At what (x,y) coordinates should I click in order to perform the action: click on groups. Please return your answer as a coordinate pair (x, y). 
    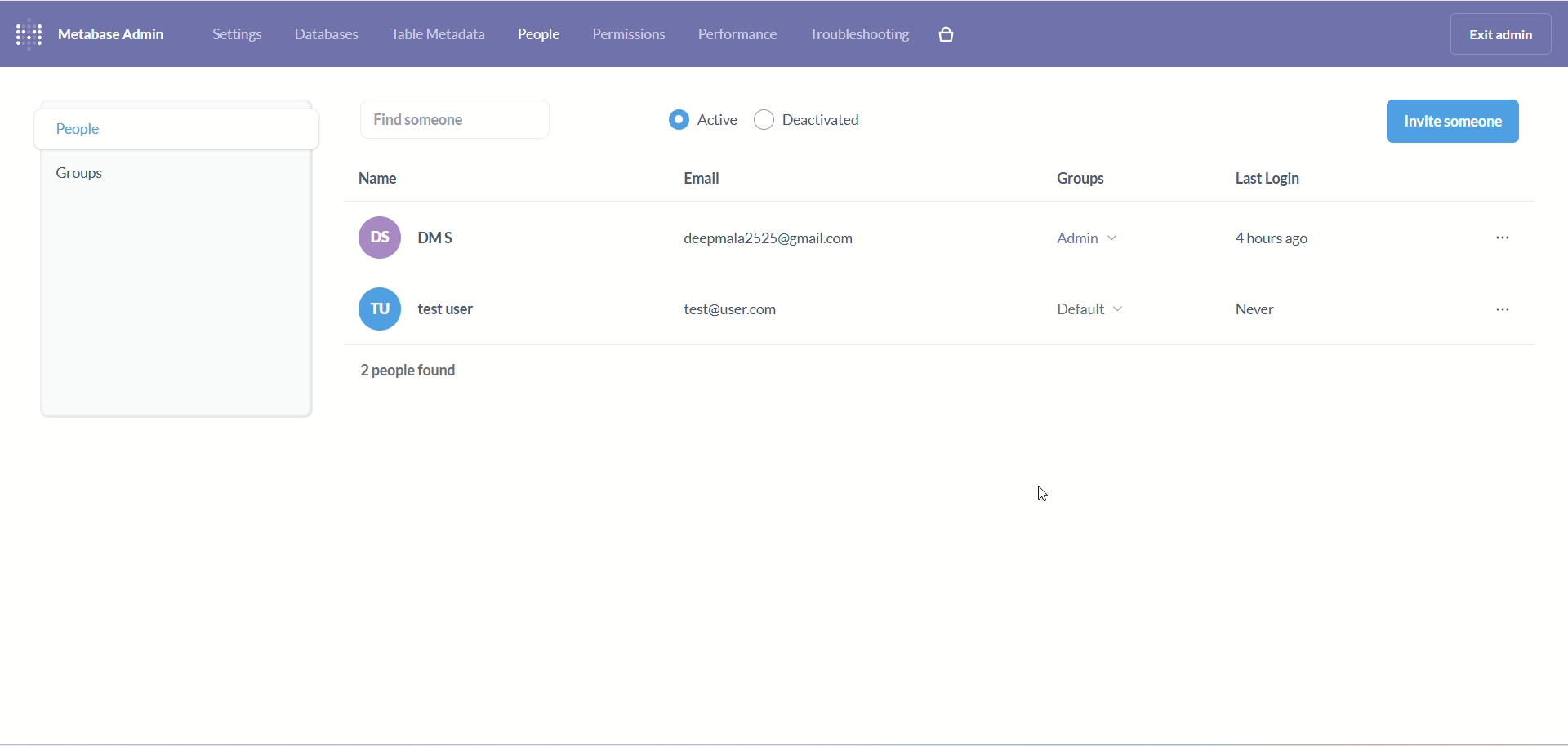
    Looking at the image, I should click on (1096, 175).